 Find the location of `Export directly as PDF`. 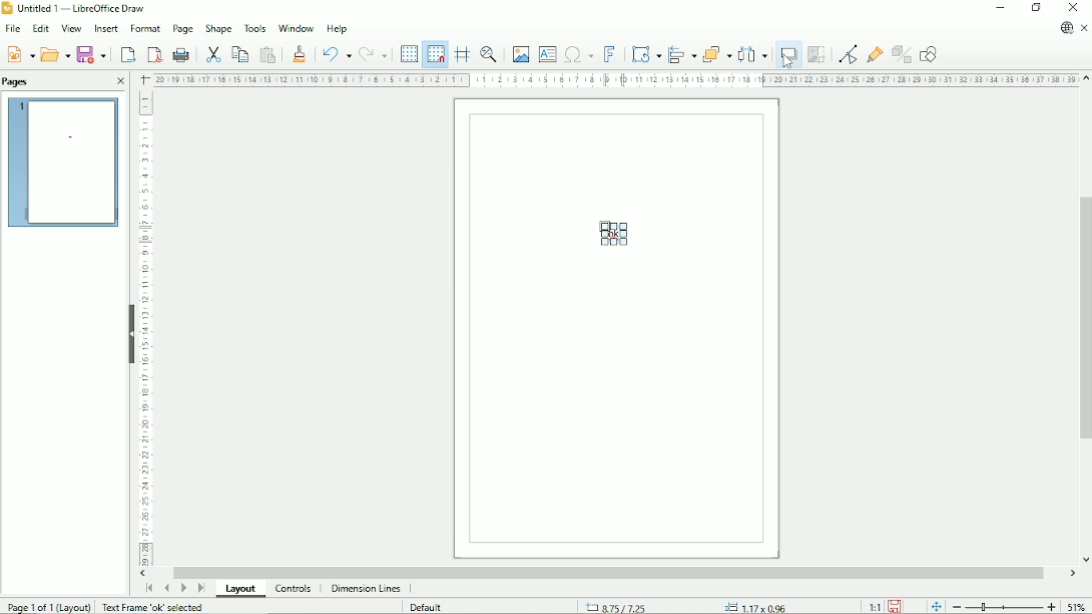

Export directly as PDF is located at coordinates (152, 54).